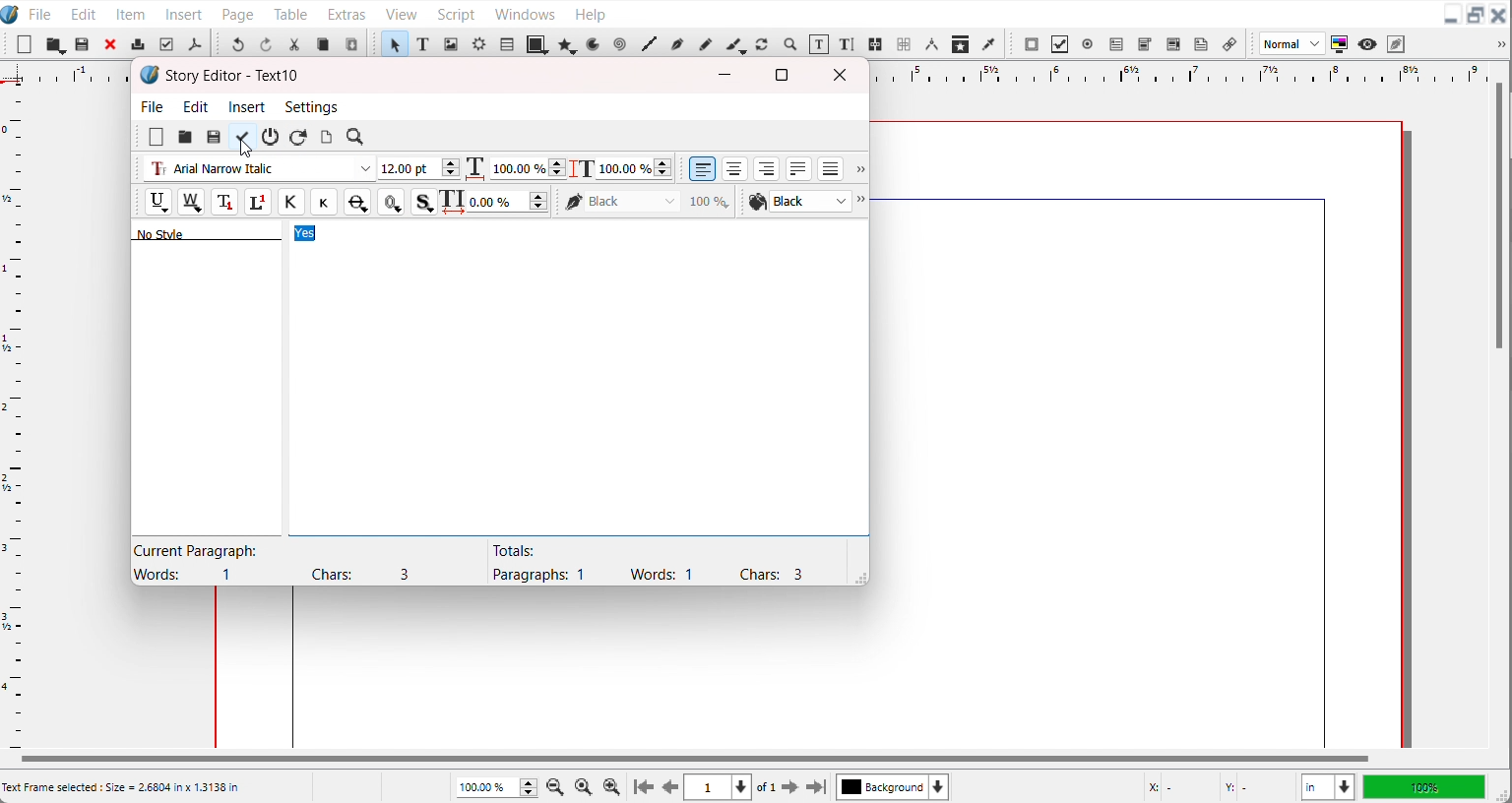 This screenshot has height=803, width=1512. I want to click on Maximize, so click(1476, 16).